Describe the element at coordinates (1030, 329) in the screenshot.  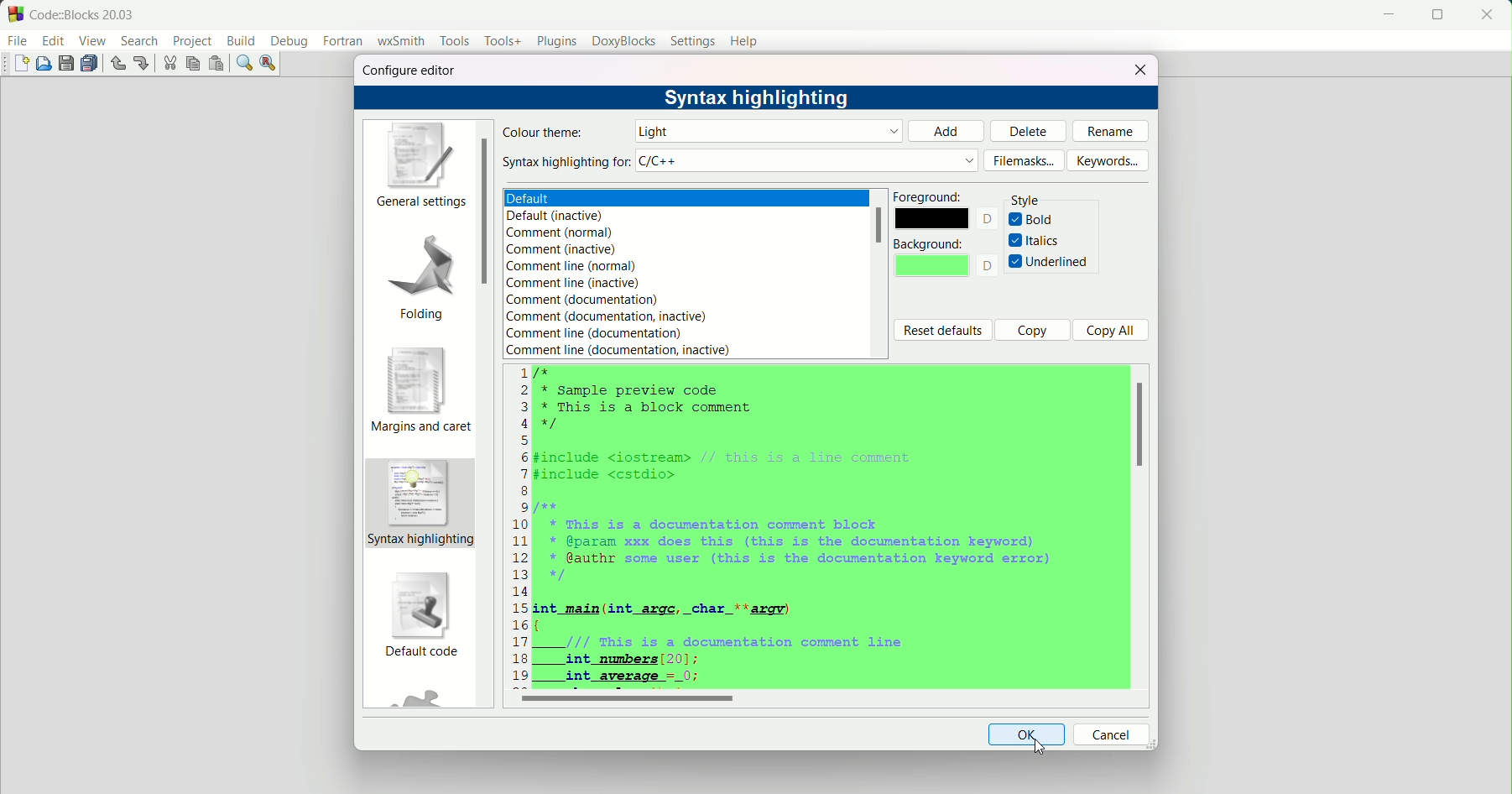
I see `copy` at that location.